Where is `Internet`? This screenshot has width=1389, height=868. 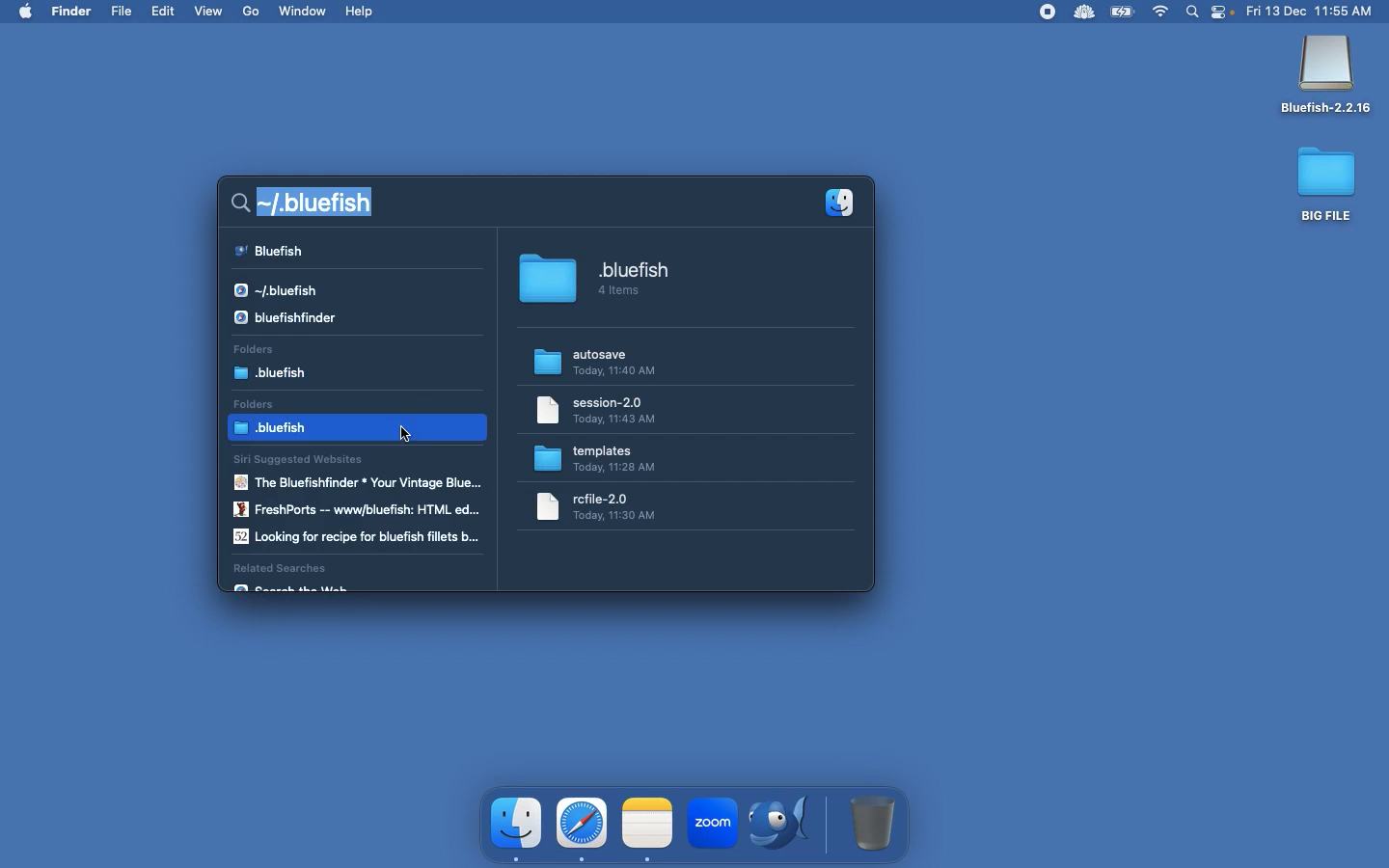 Internet is located at coordinates (1161, 13).